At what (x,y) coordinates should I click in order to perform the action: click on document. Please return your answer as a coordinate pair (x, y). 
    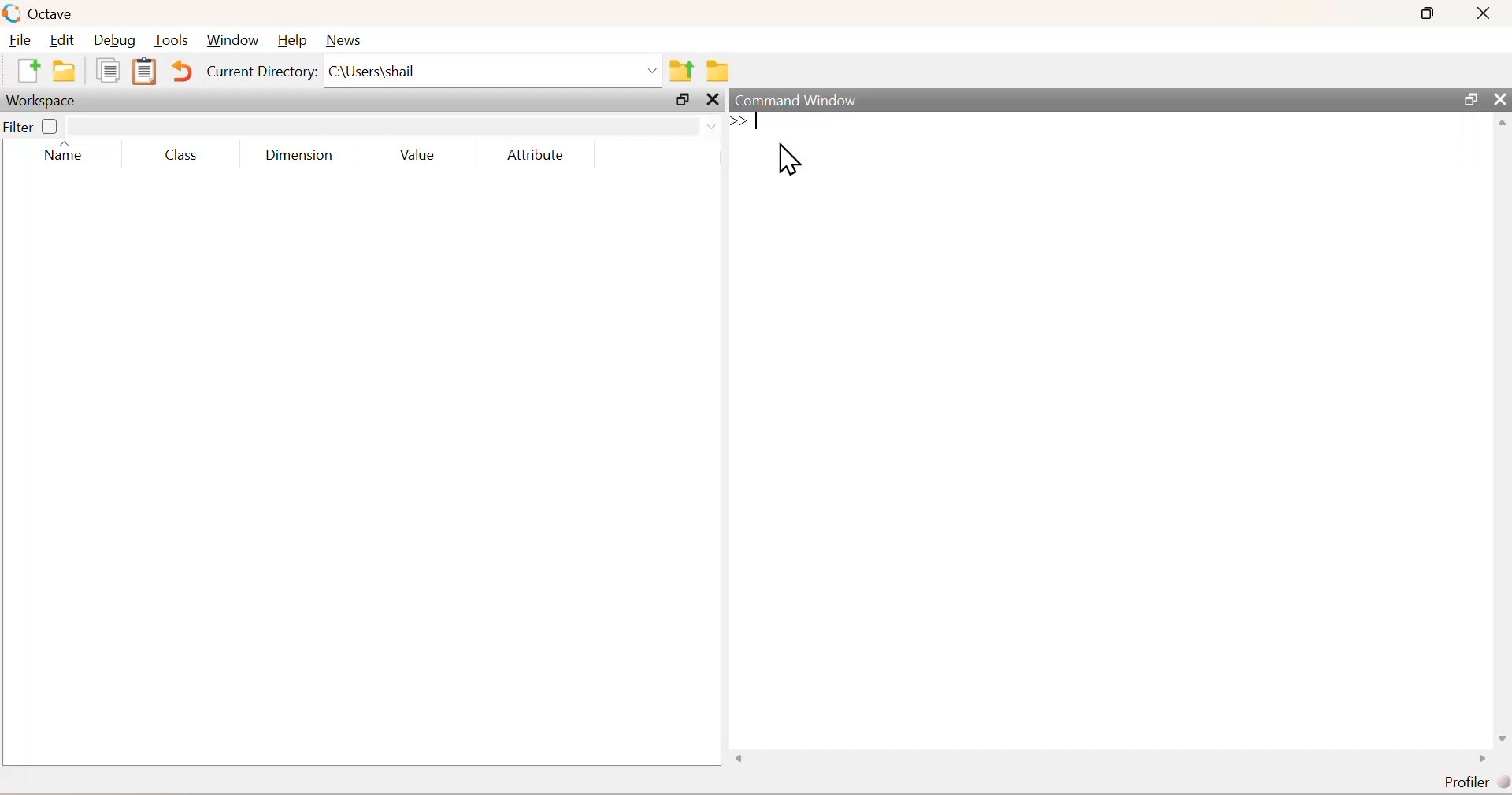
    Looking at the image, I should click on (108, 70).